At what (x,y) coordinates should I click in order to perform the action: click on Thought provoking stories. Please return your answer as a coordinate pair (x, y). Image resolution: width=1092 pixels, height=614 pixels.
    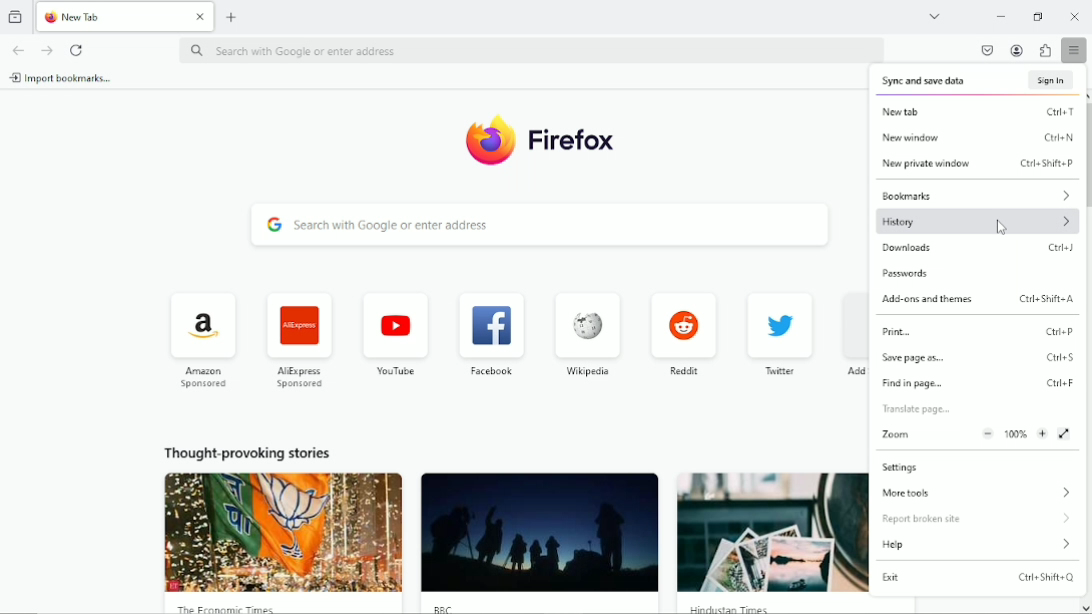
    Looking at the image, I should click on (248, 451).